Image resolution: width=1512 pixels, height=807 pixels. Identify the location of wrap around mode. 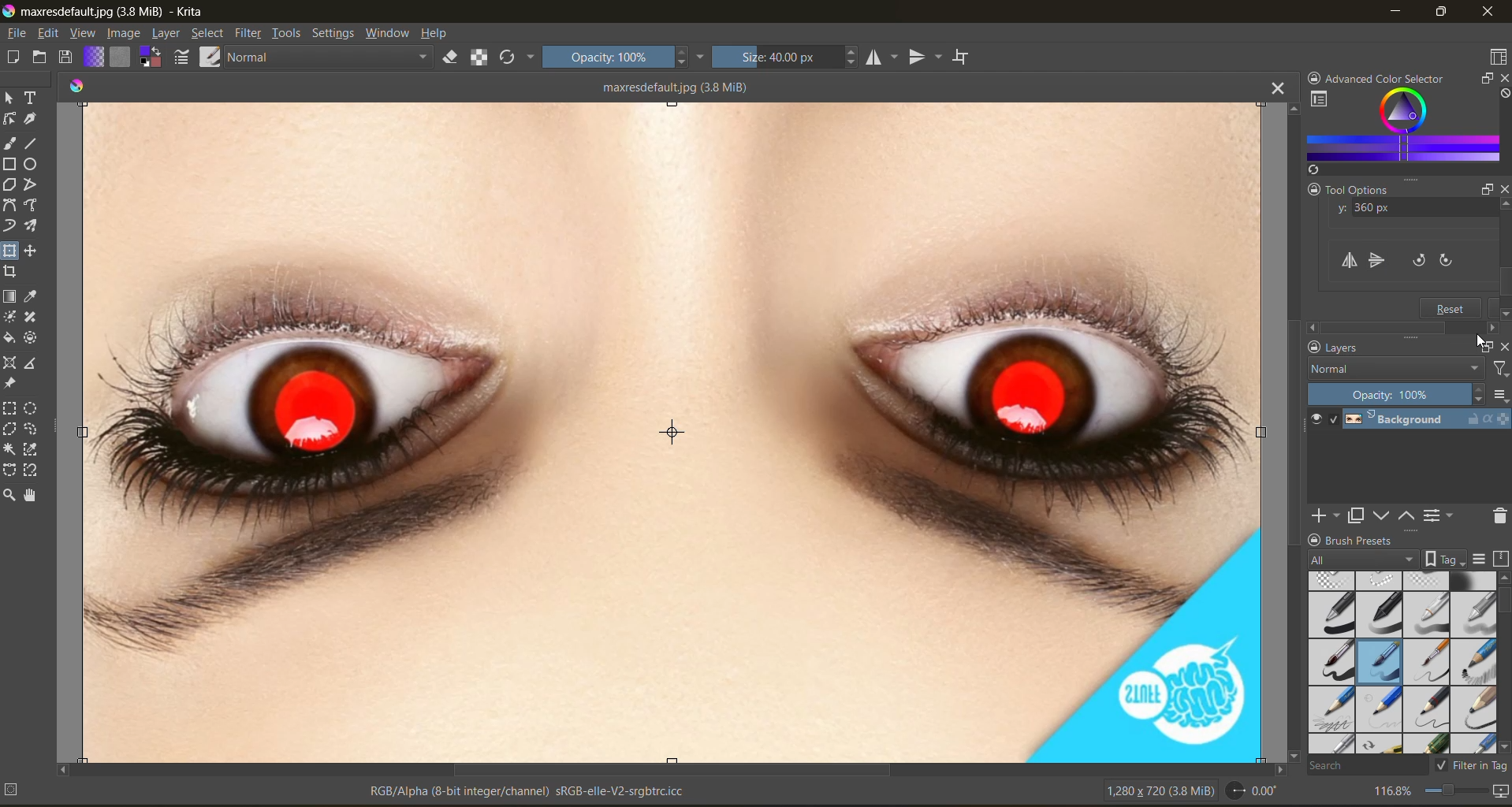
(963, 55).